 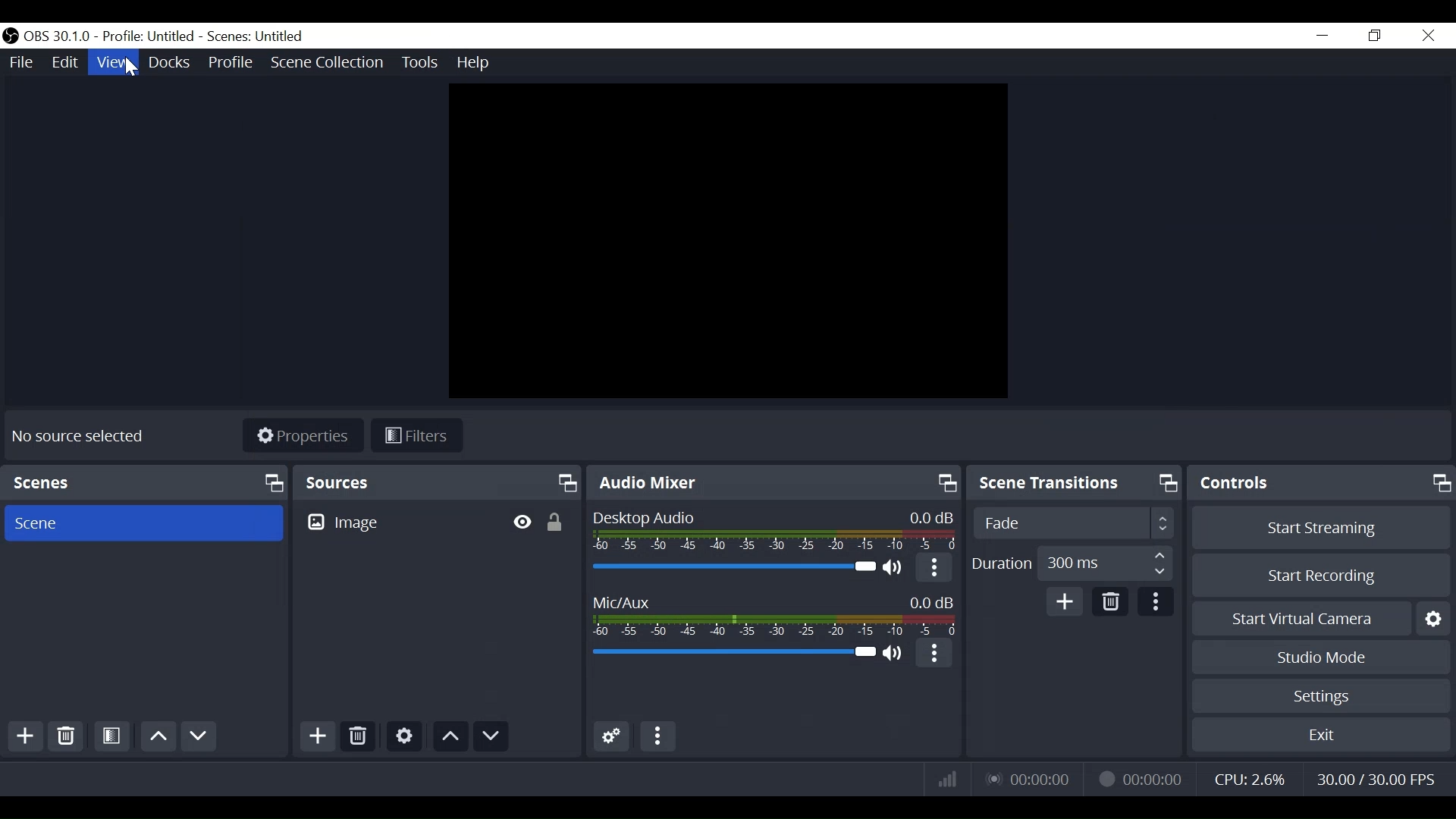 What do you see at coordinates (1322, 529) in the screenshot?
I see `Start Streaming` at bounding box center [1322, 529].